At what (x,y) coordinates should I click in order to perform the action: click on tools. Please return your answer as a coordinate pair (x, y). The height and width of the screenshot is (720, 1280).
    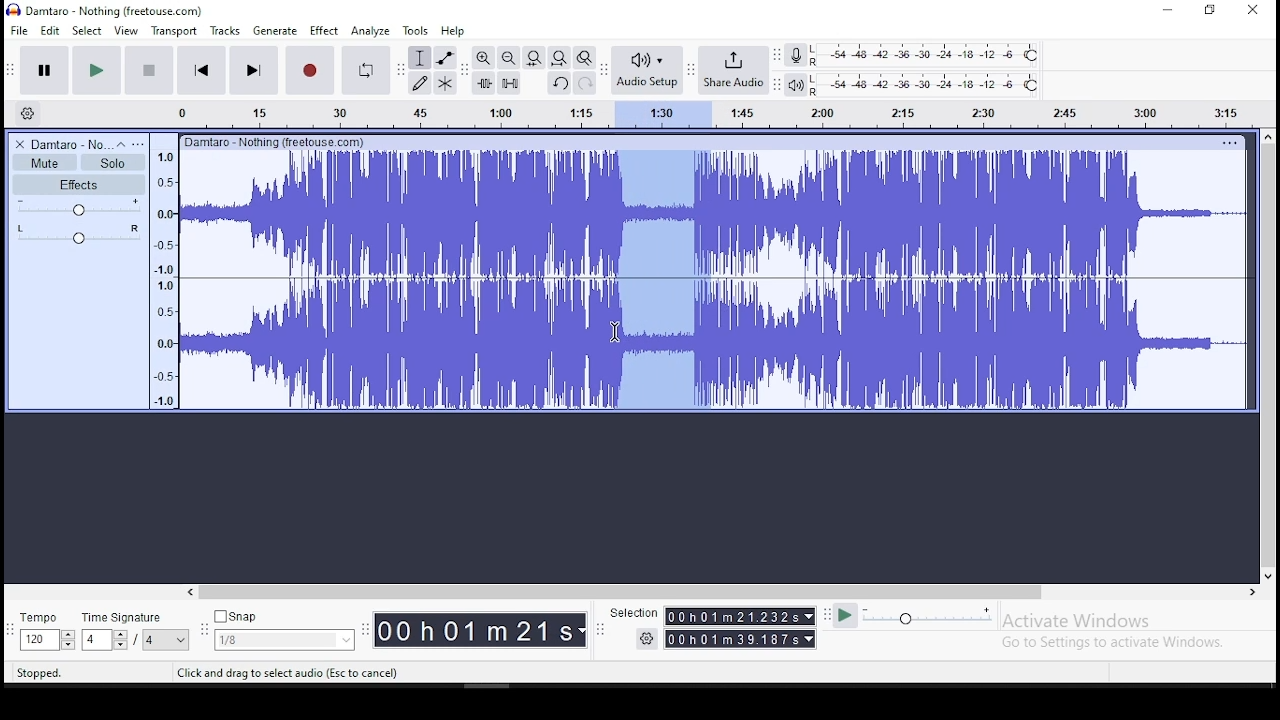
    Looking at the image, I should click on (416, 30).